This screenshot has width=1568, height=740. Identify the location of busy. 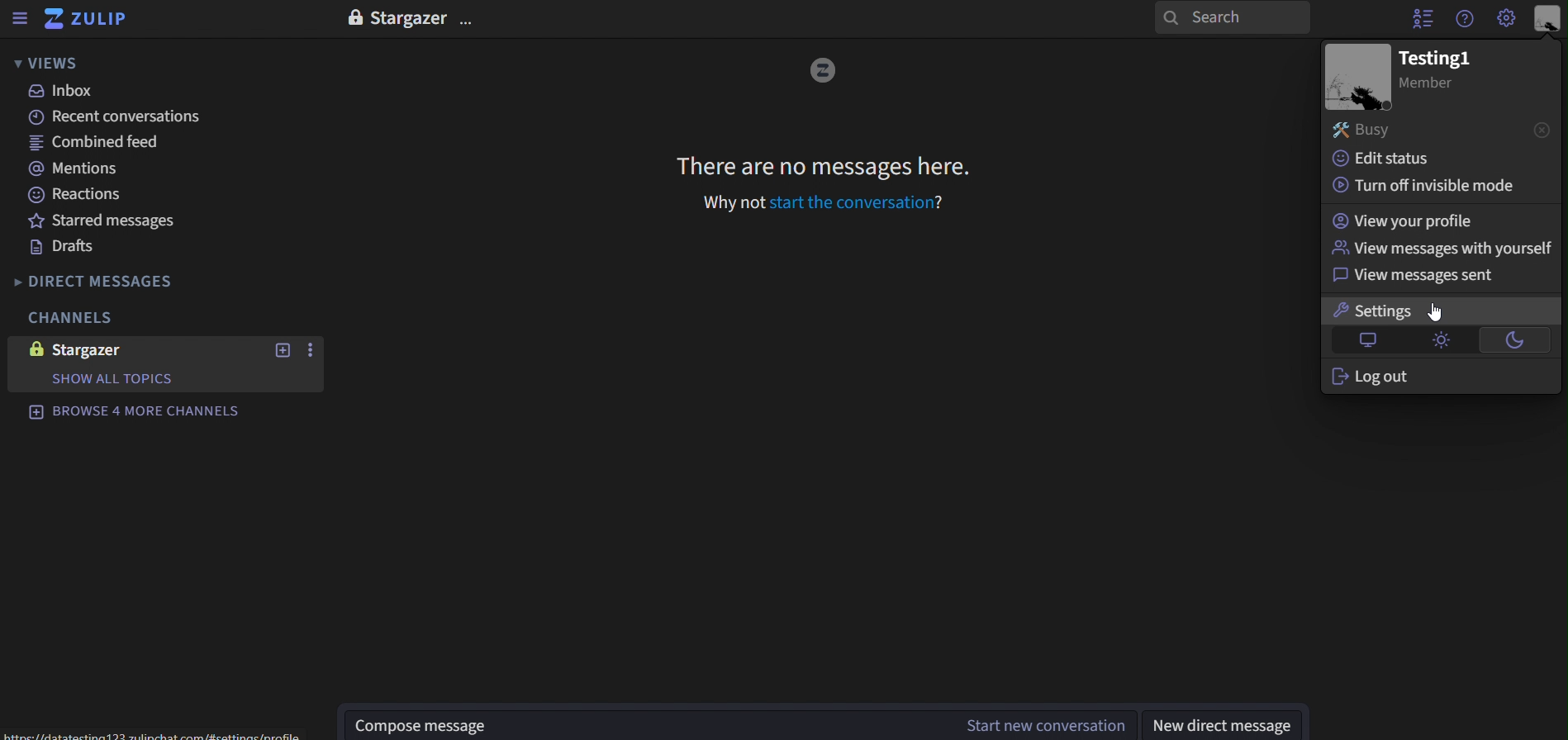
(1445, 130).